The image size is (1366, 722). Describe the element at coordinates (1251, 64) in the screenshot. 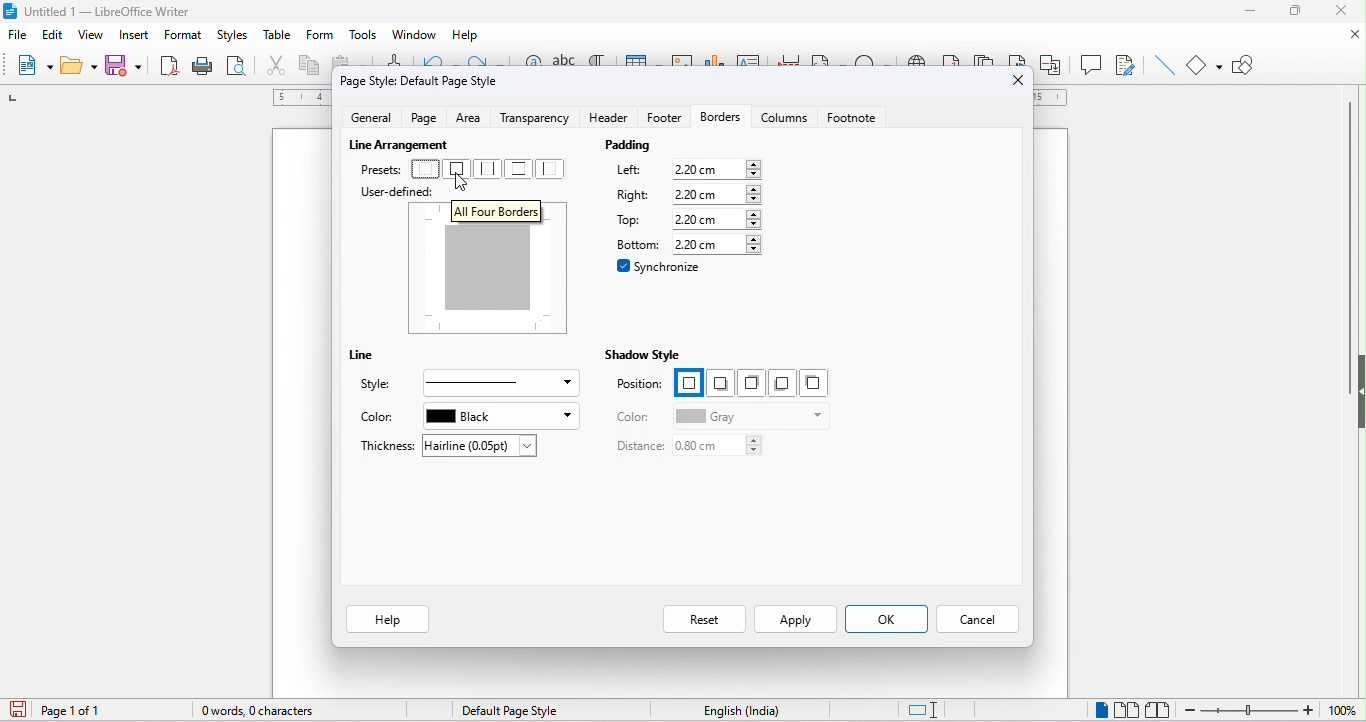

I see `show draw functions` at that location.